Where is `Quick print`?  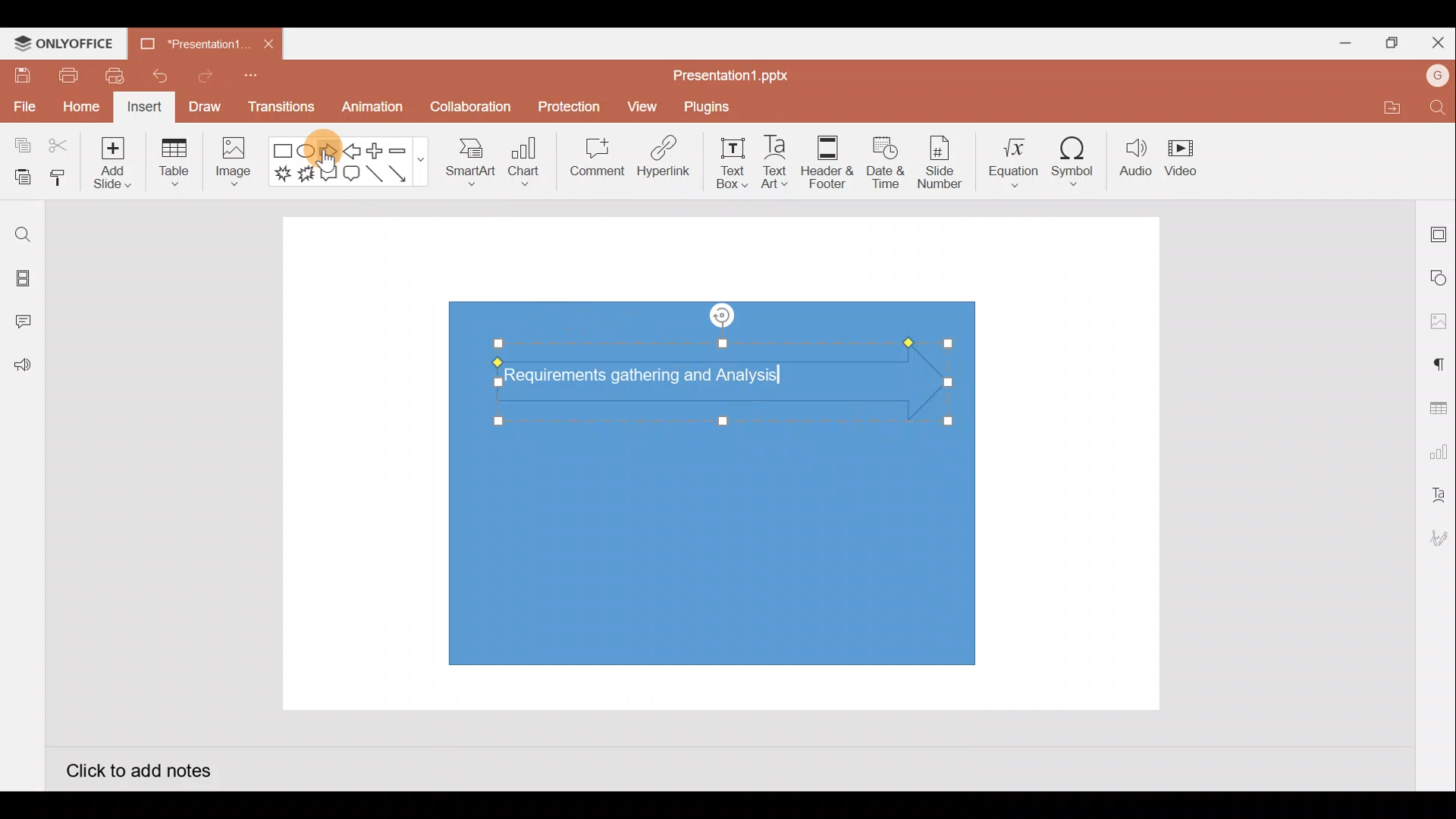 Quick print is located at coordinates (110, 76).